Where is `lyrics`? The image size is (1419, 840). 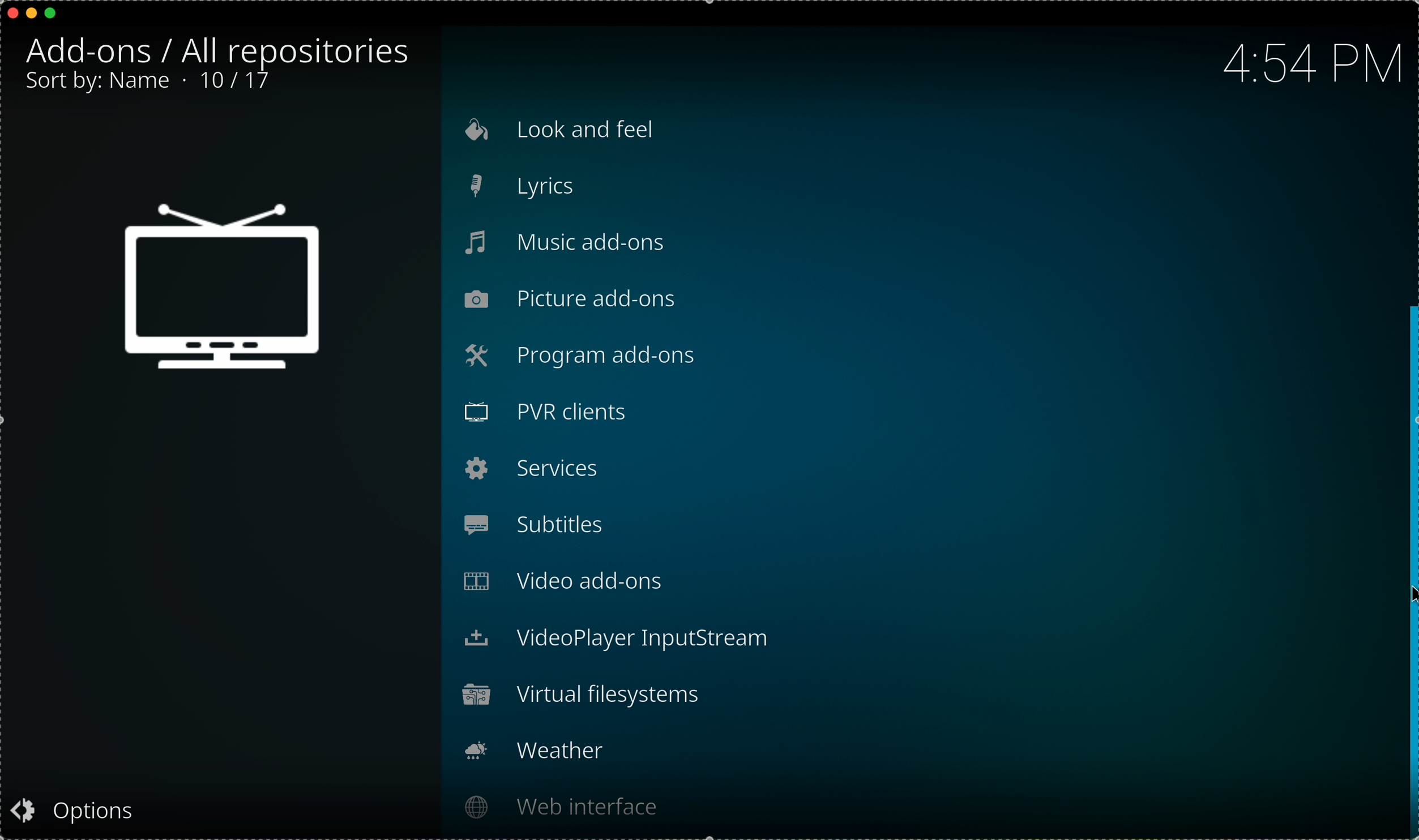 lyrics is located at coordinates (574, 187).